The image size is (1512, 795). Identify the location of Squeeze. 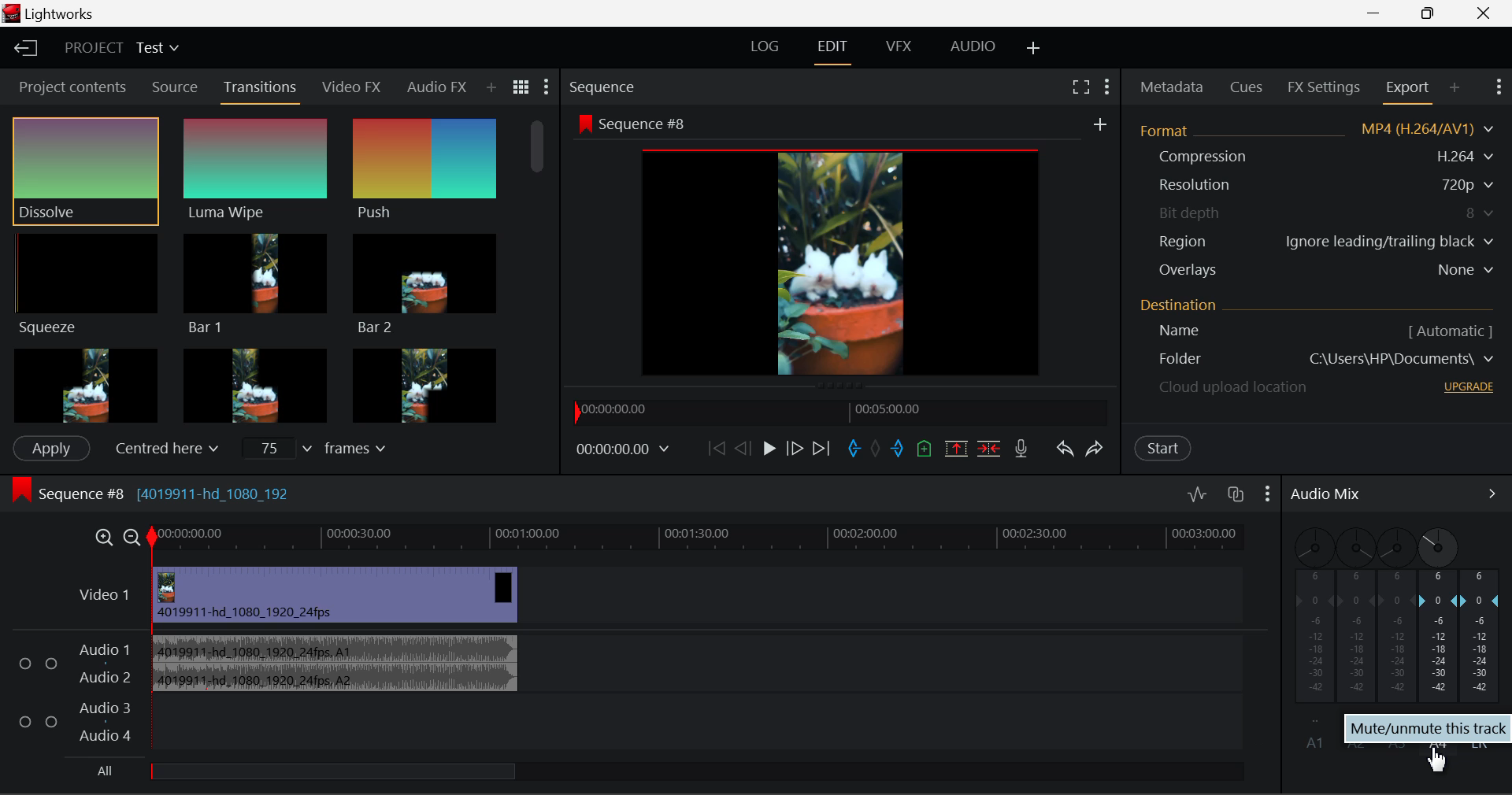
(83, 283).